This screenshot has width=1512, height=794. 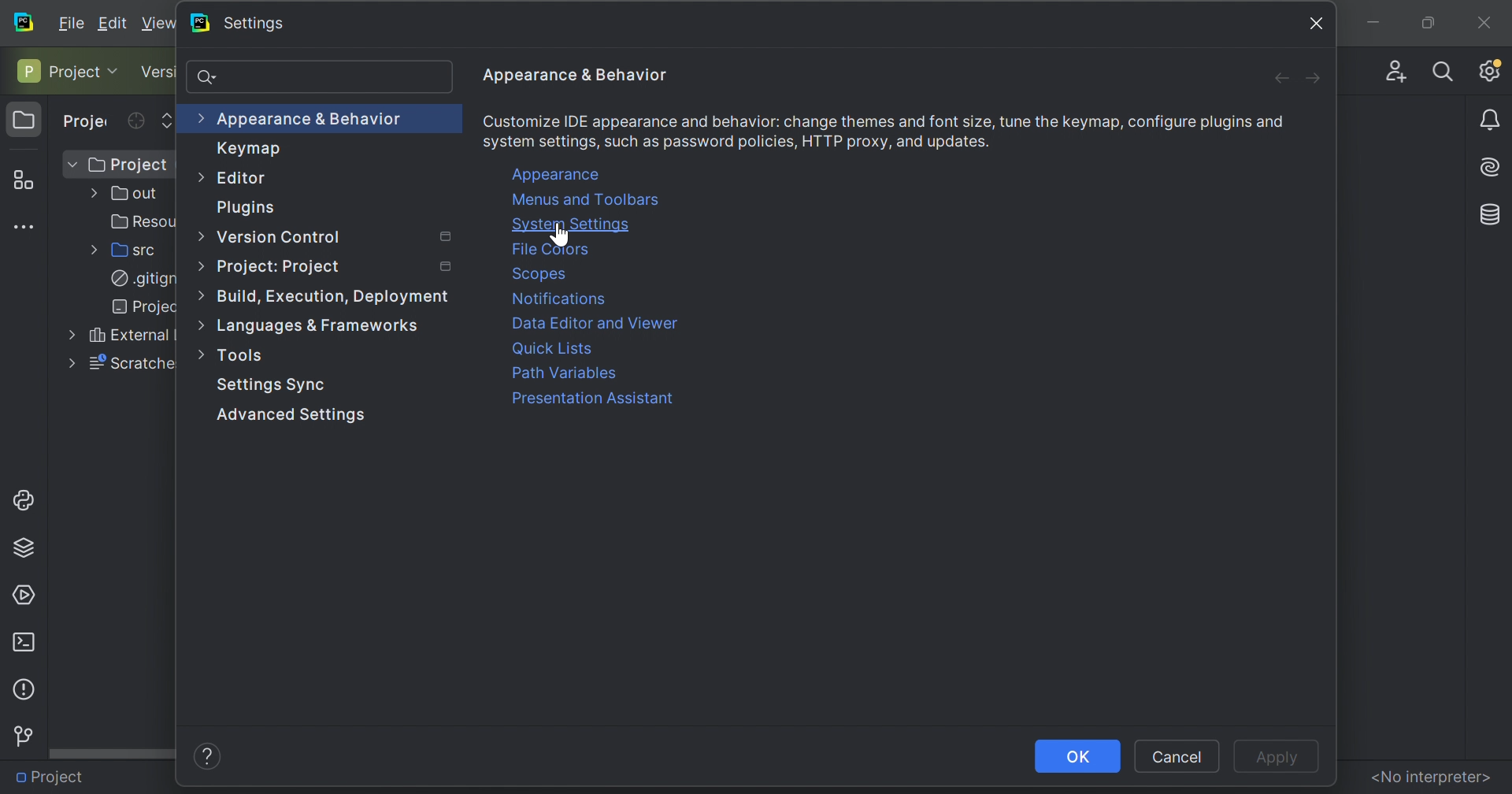 I want to click on <No interpreter>, so click(x=1430, y=776).